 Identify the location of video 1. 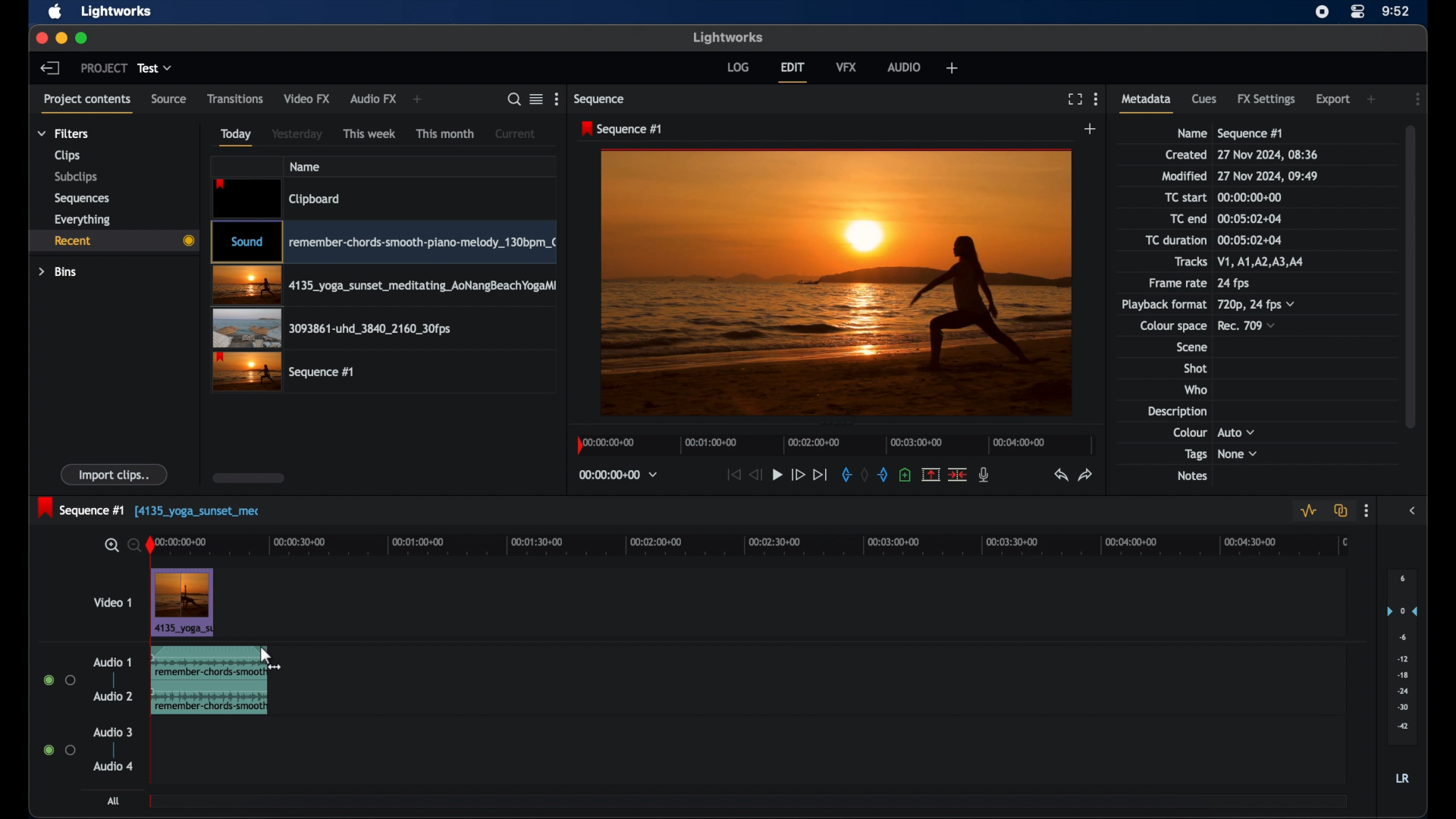
(111, 602).